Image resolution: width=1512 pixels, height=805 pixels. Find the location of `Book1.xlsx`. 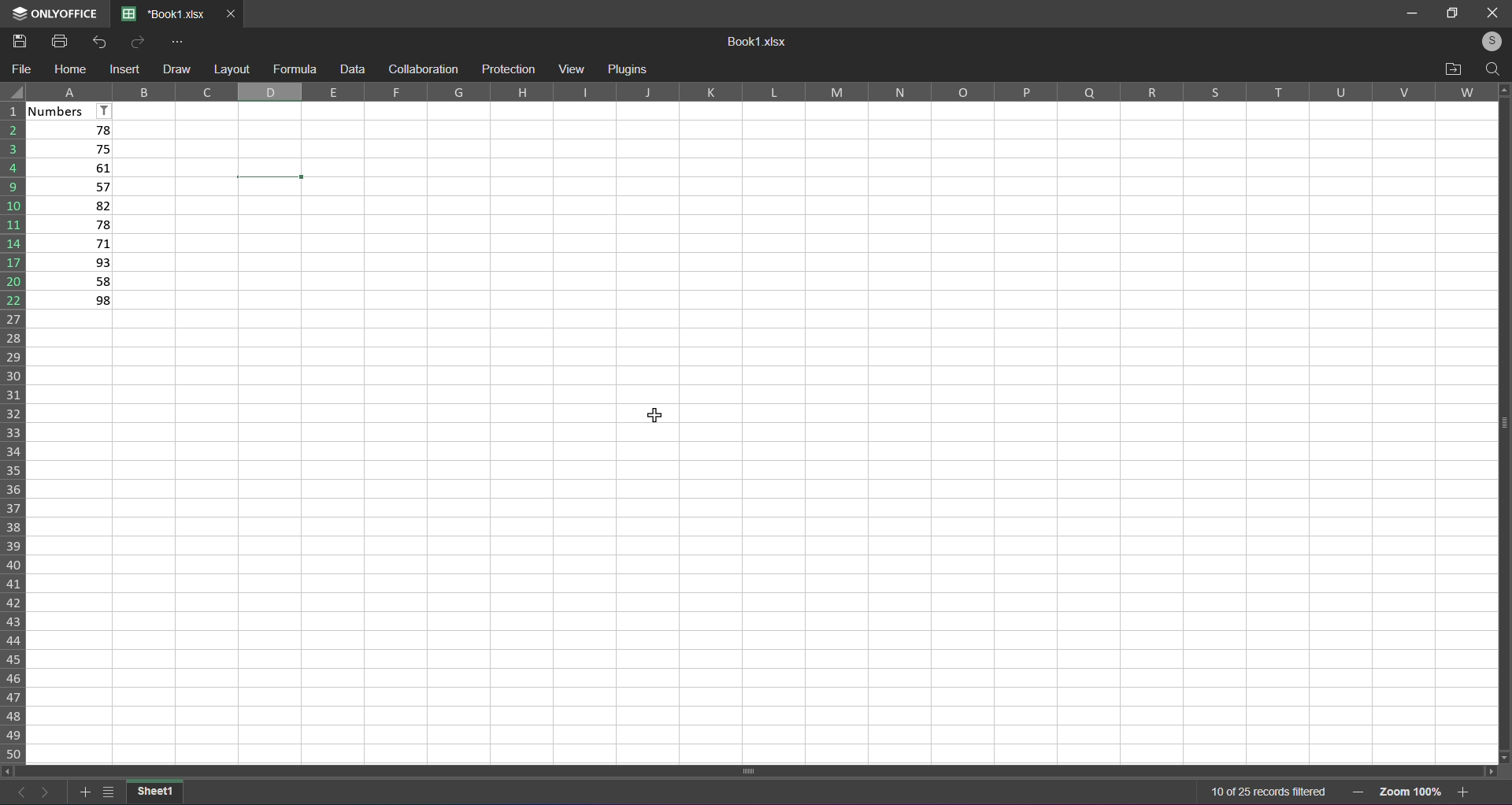

Book1.xlsx is located at coordinates (759, 43).